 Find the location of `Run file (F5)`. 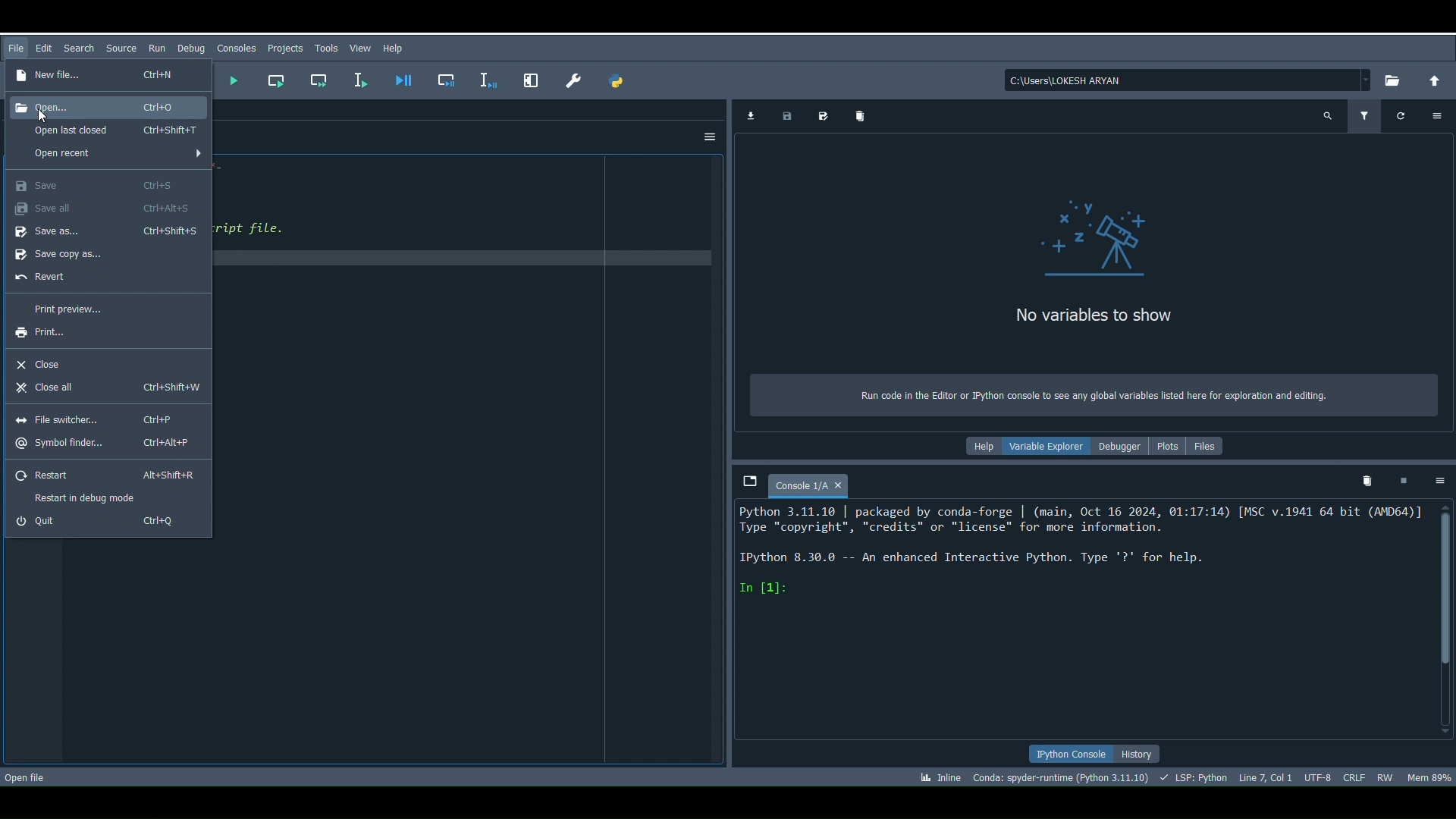

Run file (F5) is located at coordinates (231, 79).